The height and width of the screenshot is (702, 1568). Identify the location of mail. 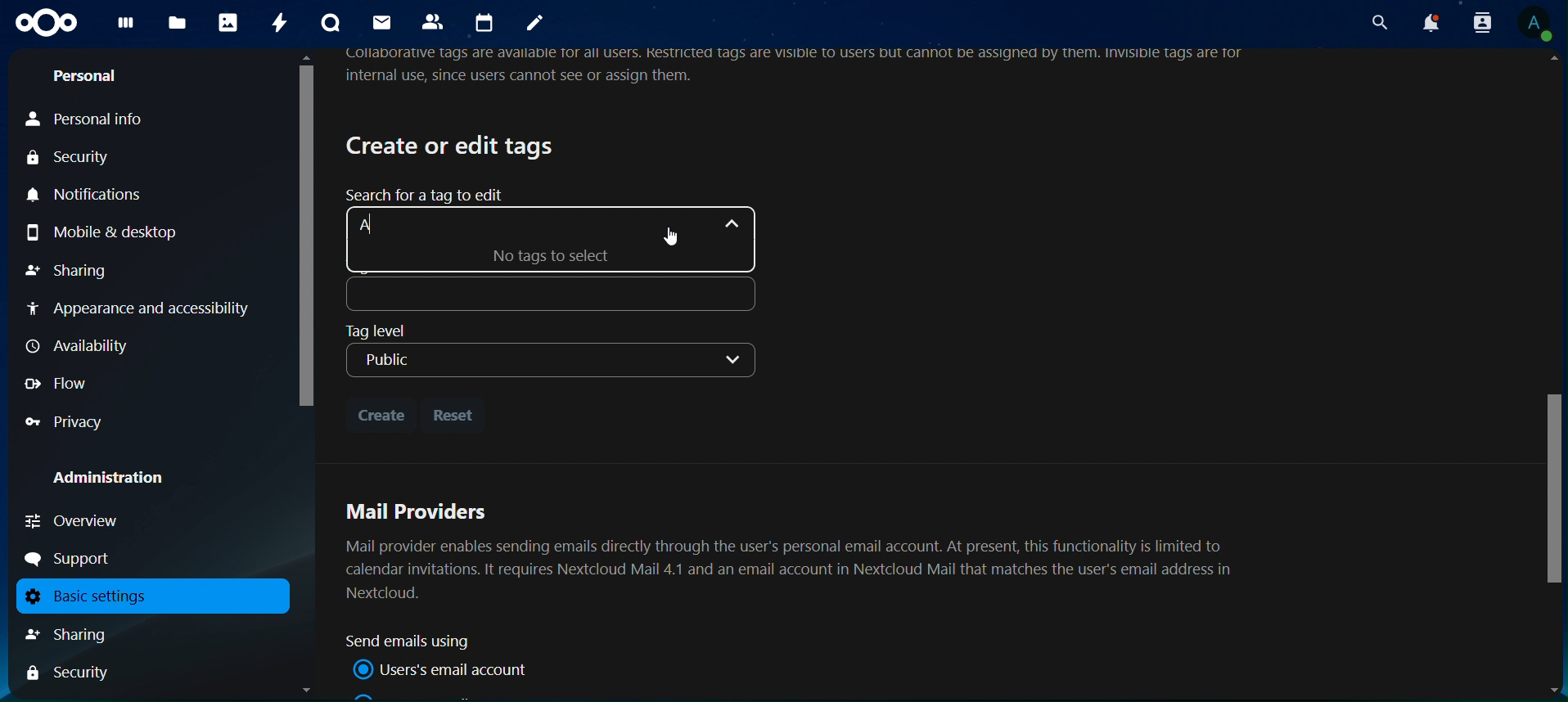
(381, 22).